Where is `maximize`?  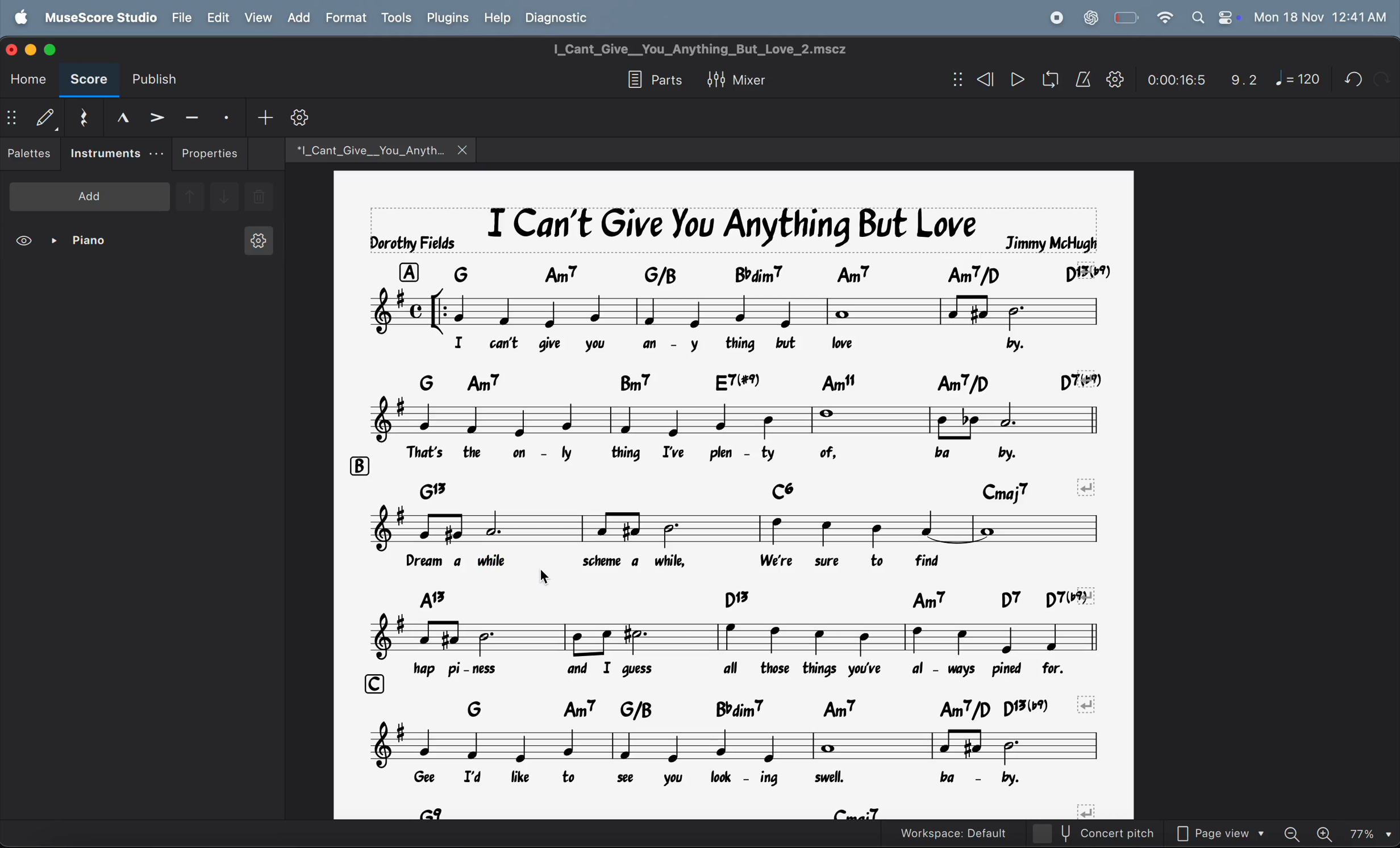
maximize is located at coordinates (56, 49).